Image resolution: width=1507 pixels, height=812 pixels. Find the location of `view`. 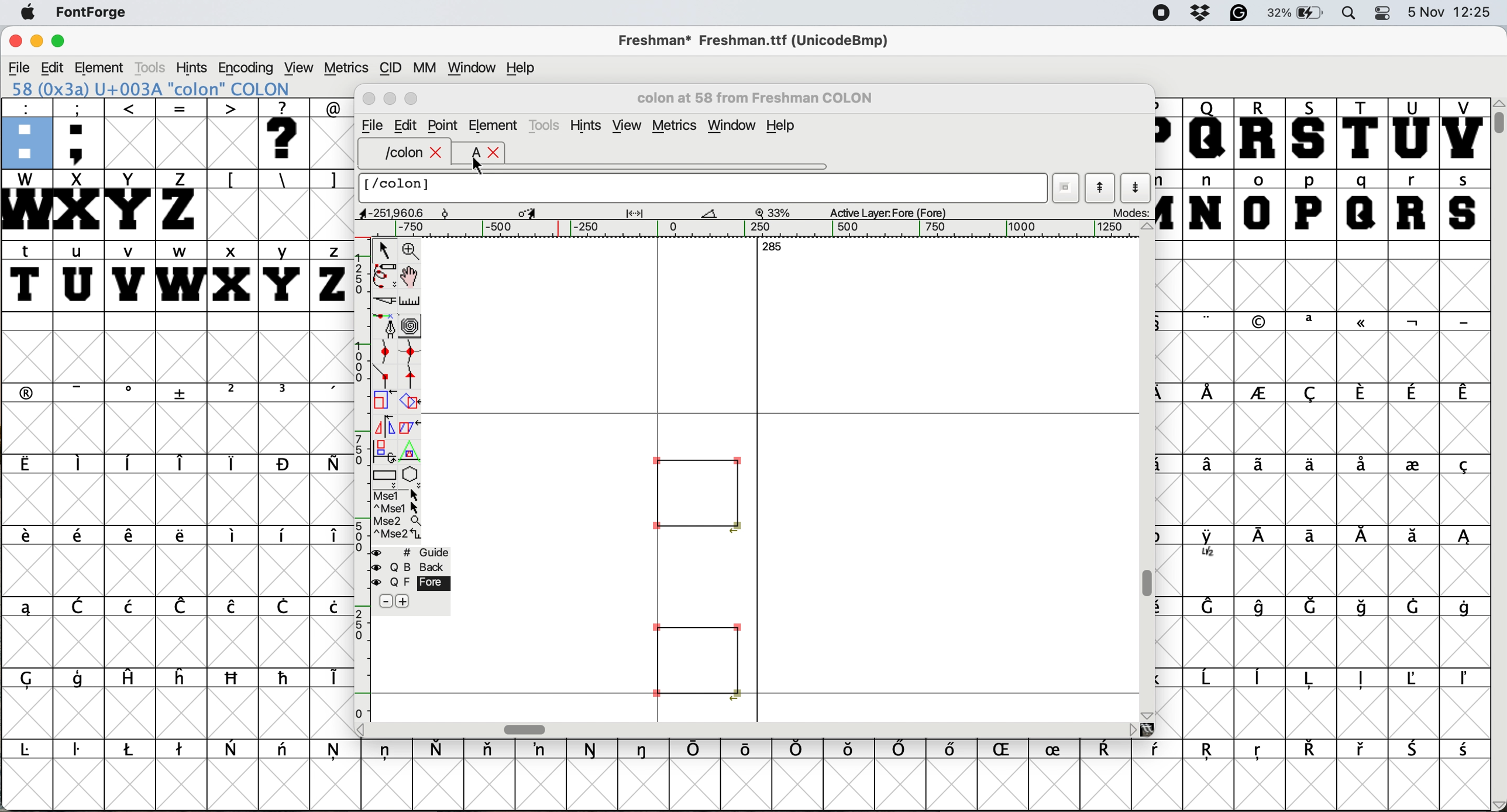

view is located at coordinates (627, 125).